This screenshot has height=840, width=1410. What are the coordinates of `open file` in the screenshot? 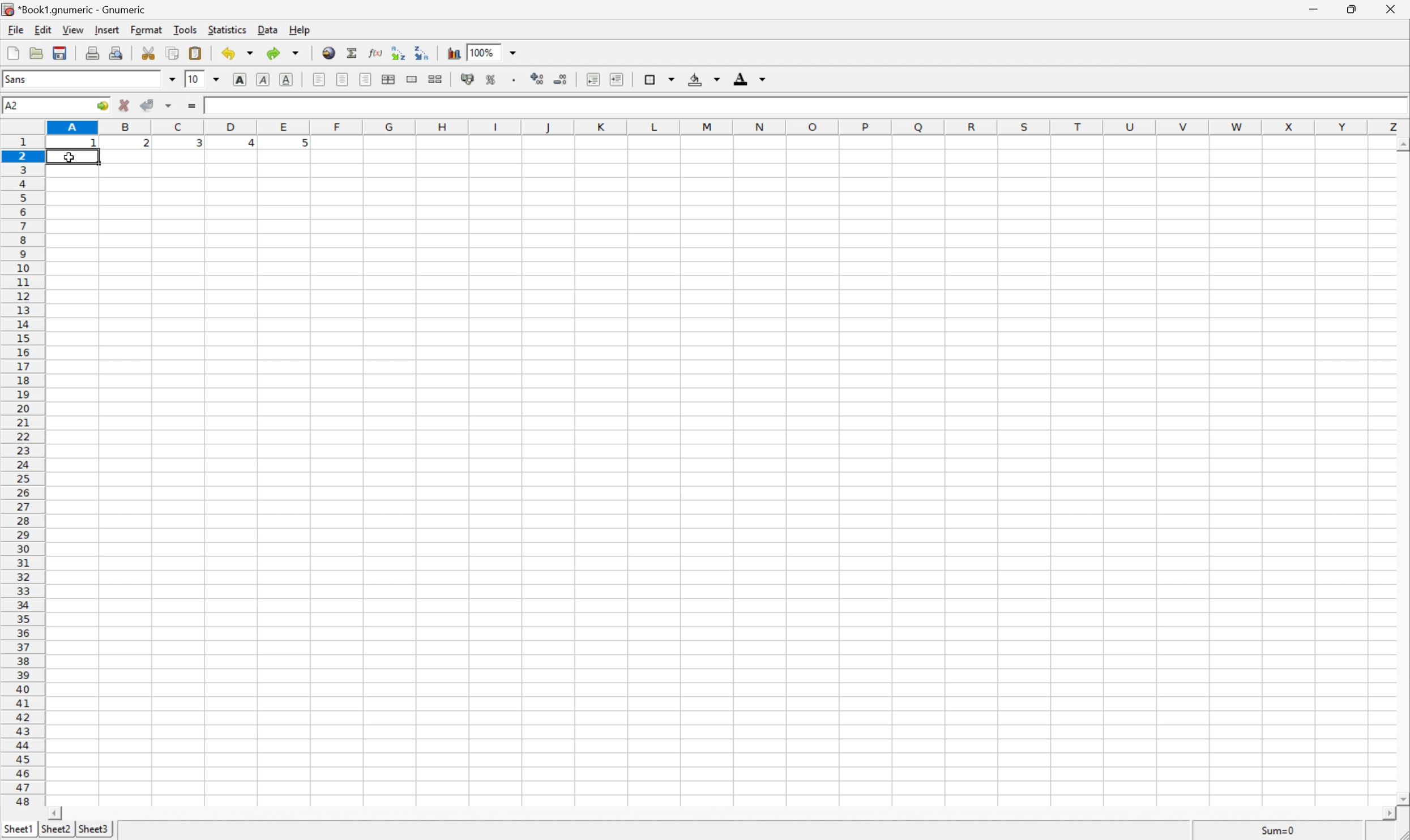 It's located at (38, 52).